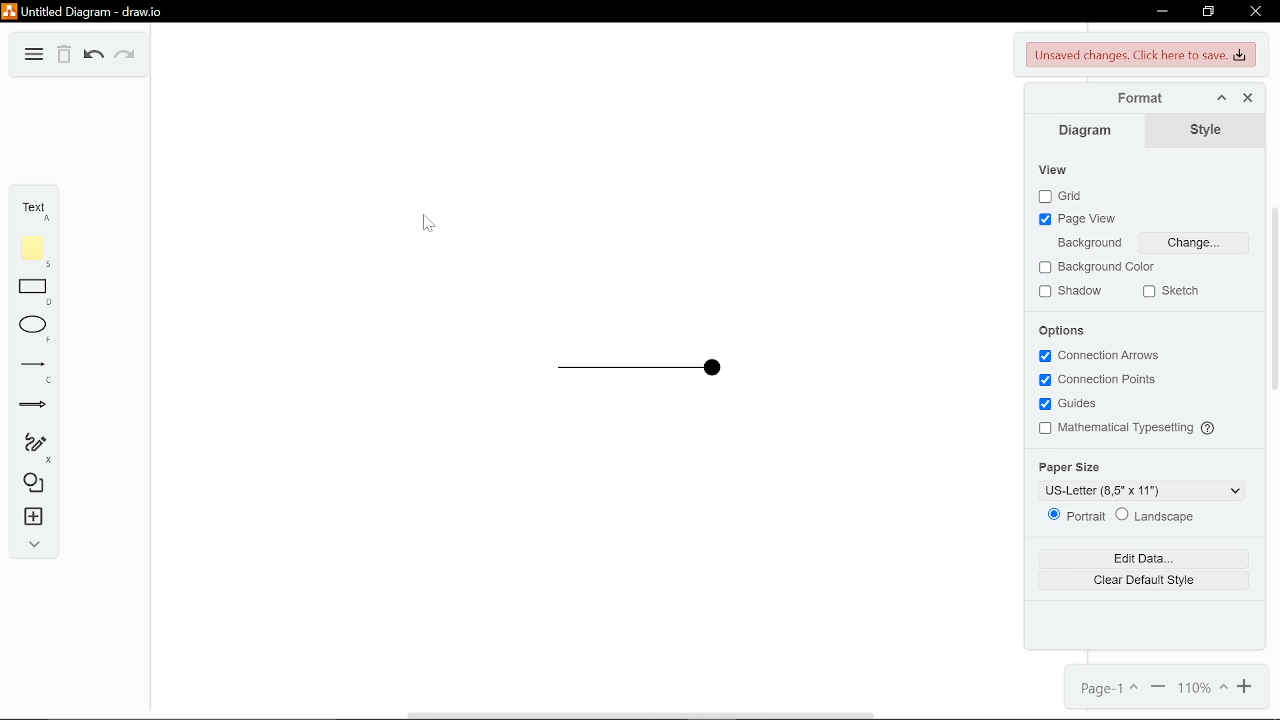 This screenshot has width=1280, height=720. Describe the element at coordinates (1071, 405) in the screenshot. I see `Guides` at that location.